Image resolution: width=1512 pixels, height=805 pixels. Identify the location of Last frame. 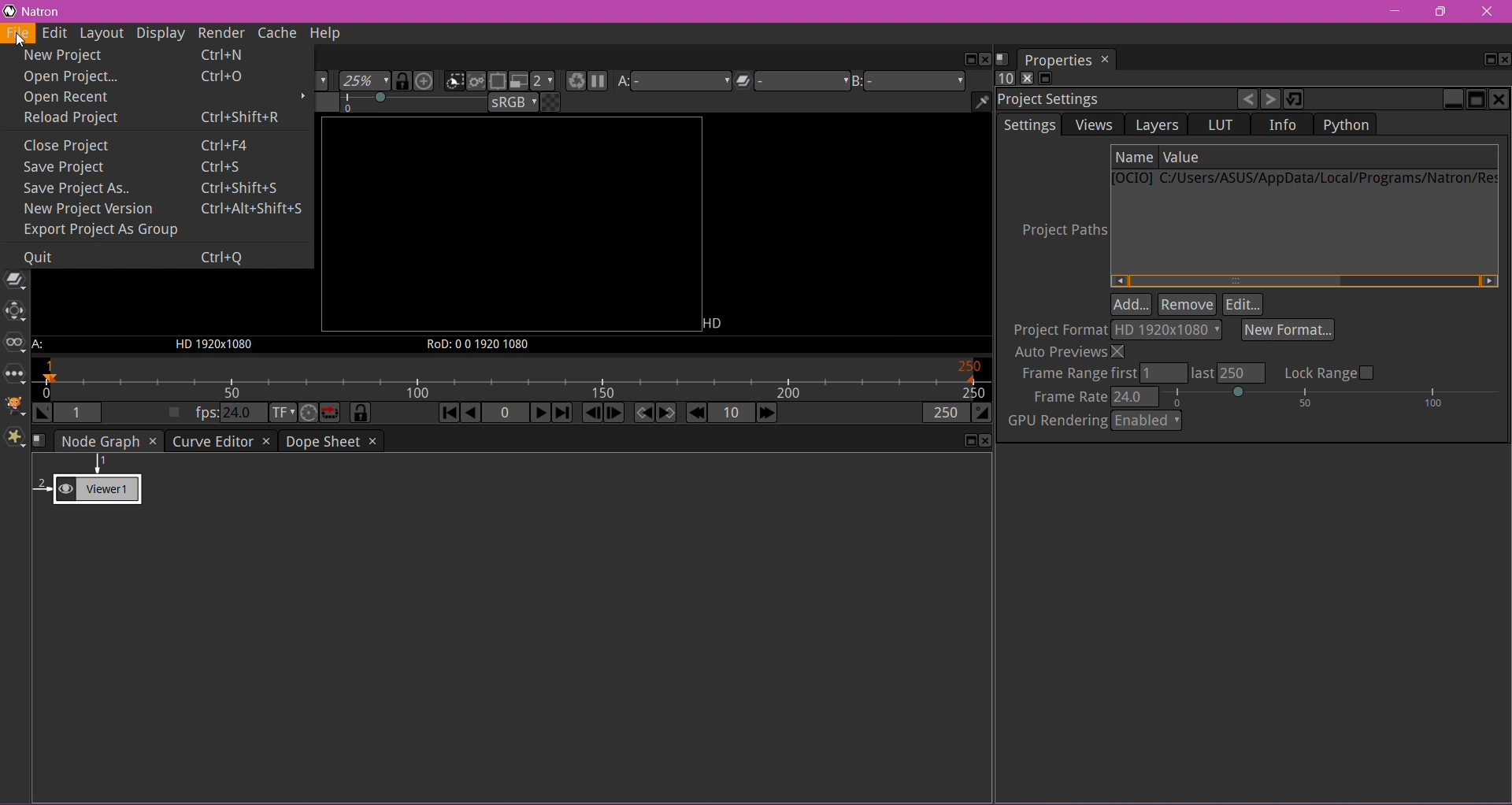
(561, 414).